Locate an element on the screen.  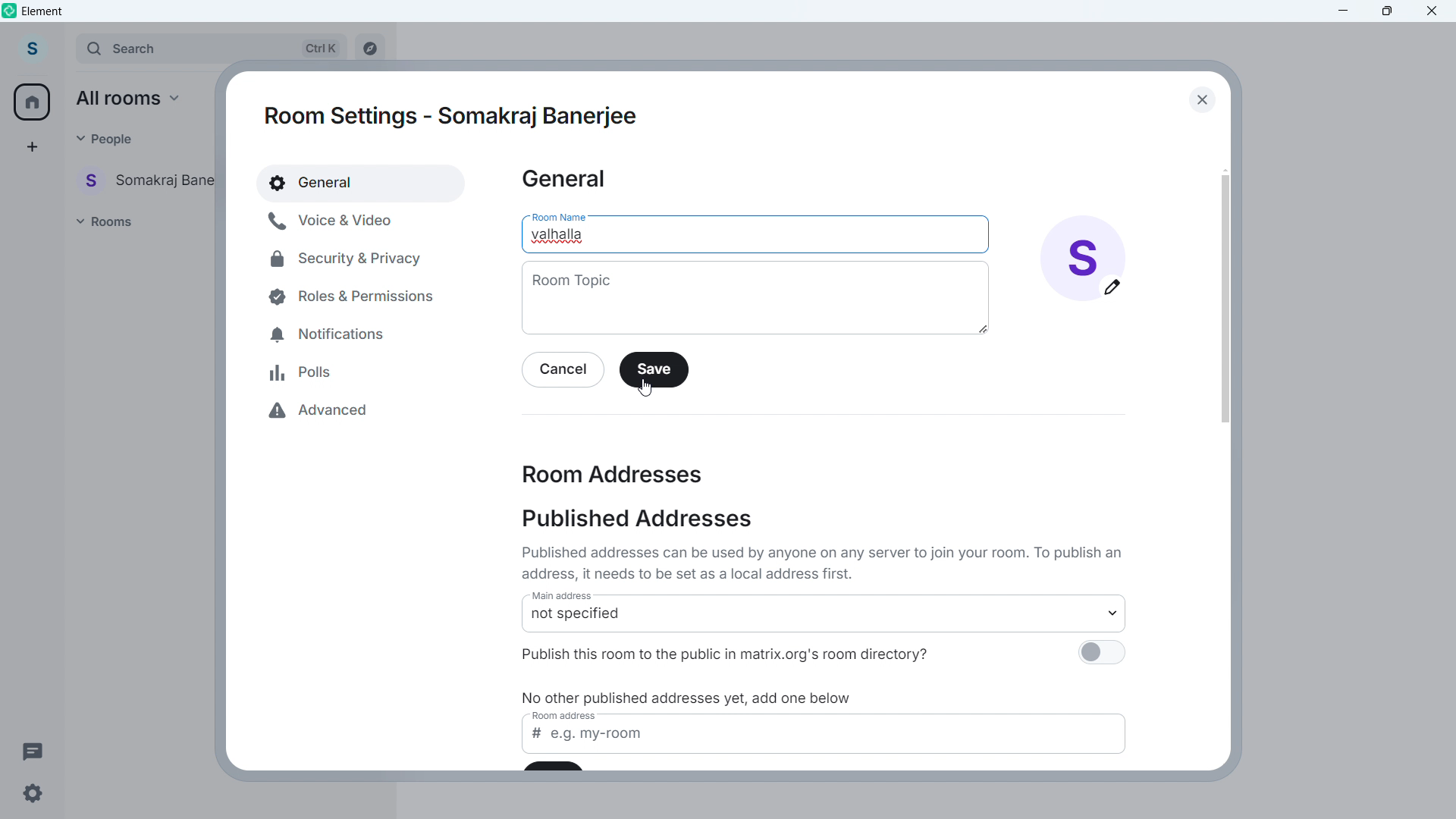
maximize is located at coordinates (1385, 12).